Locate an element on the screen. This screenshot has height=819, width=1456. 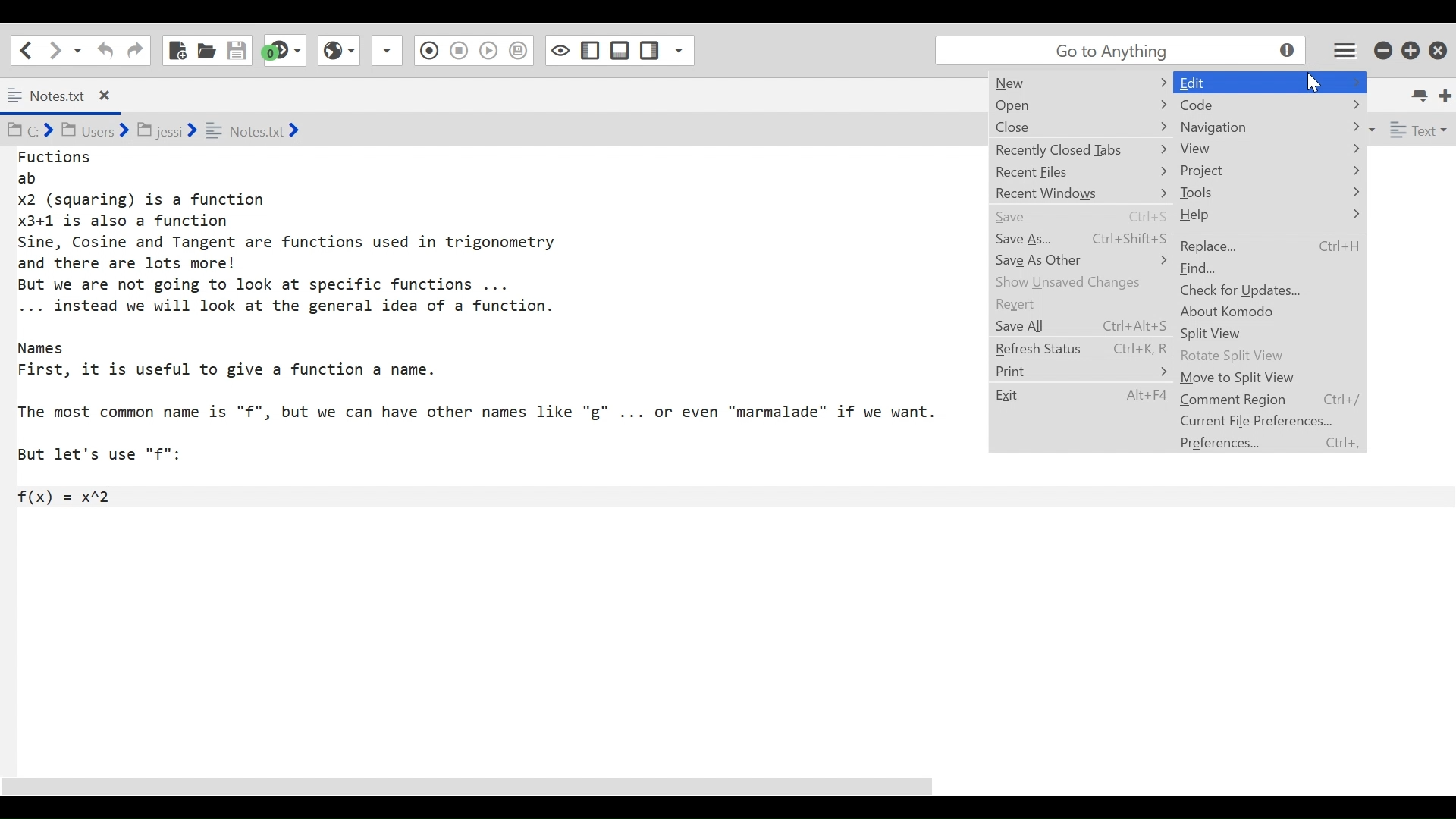
Play Last Macro is located at coordinates (338, 49).